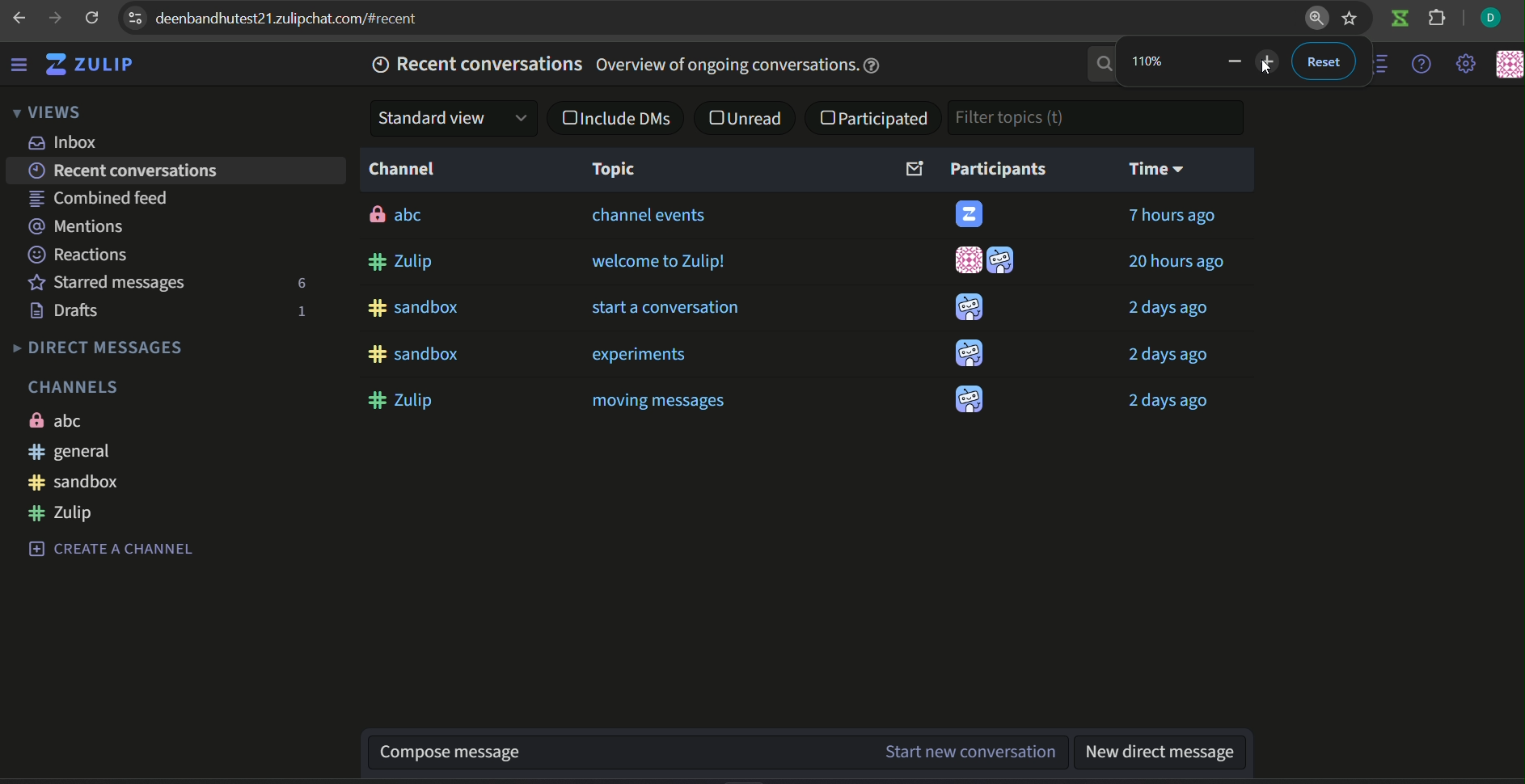 Image resolution: width=1525 pixels, height=784 pixels. I want to click on channel events, so click(652, 216).